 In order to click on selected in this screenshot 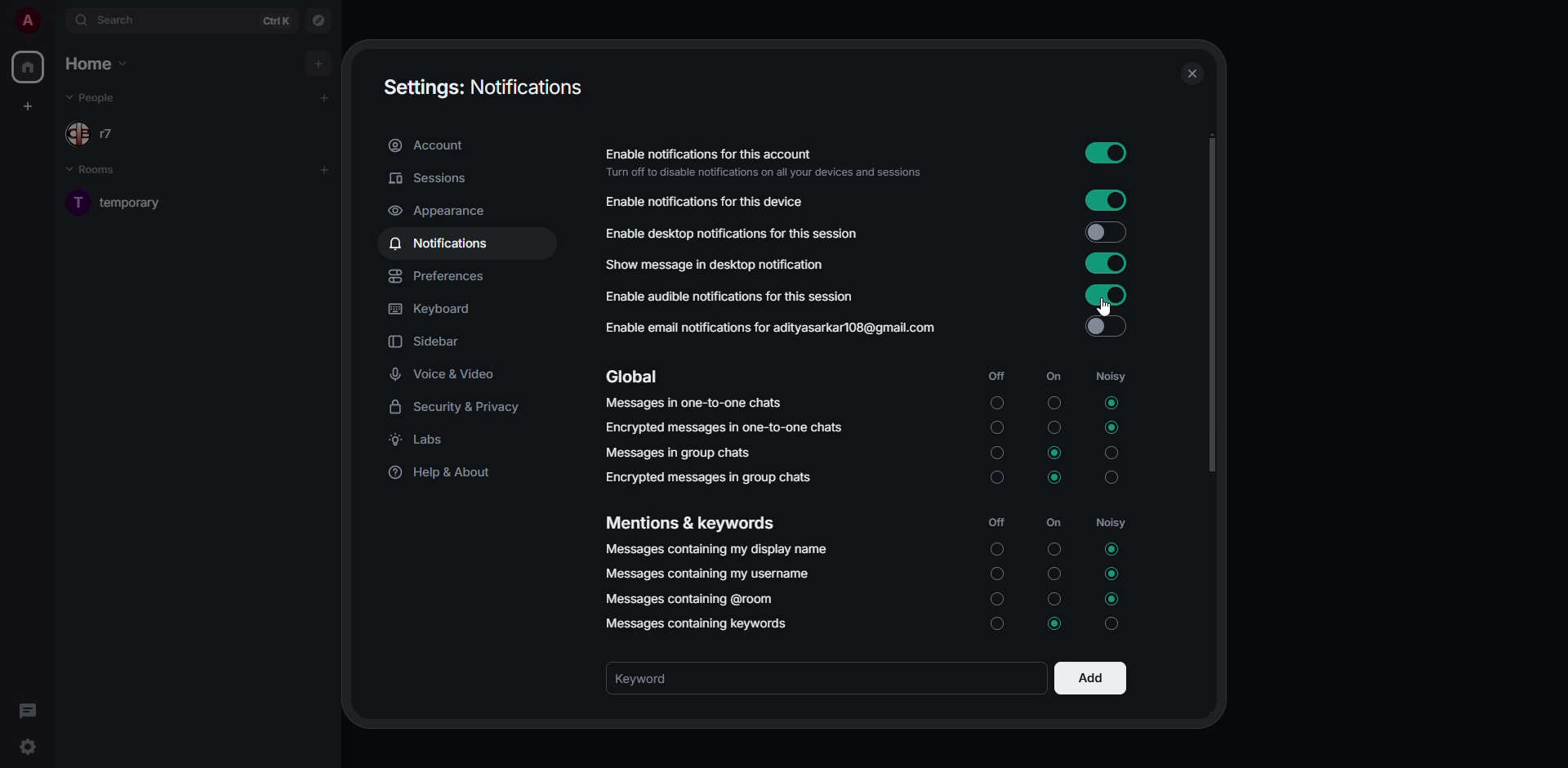, I will do `click(1056, 478)`.